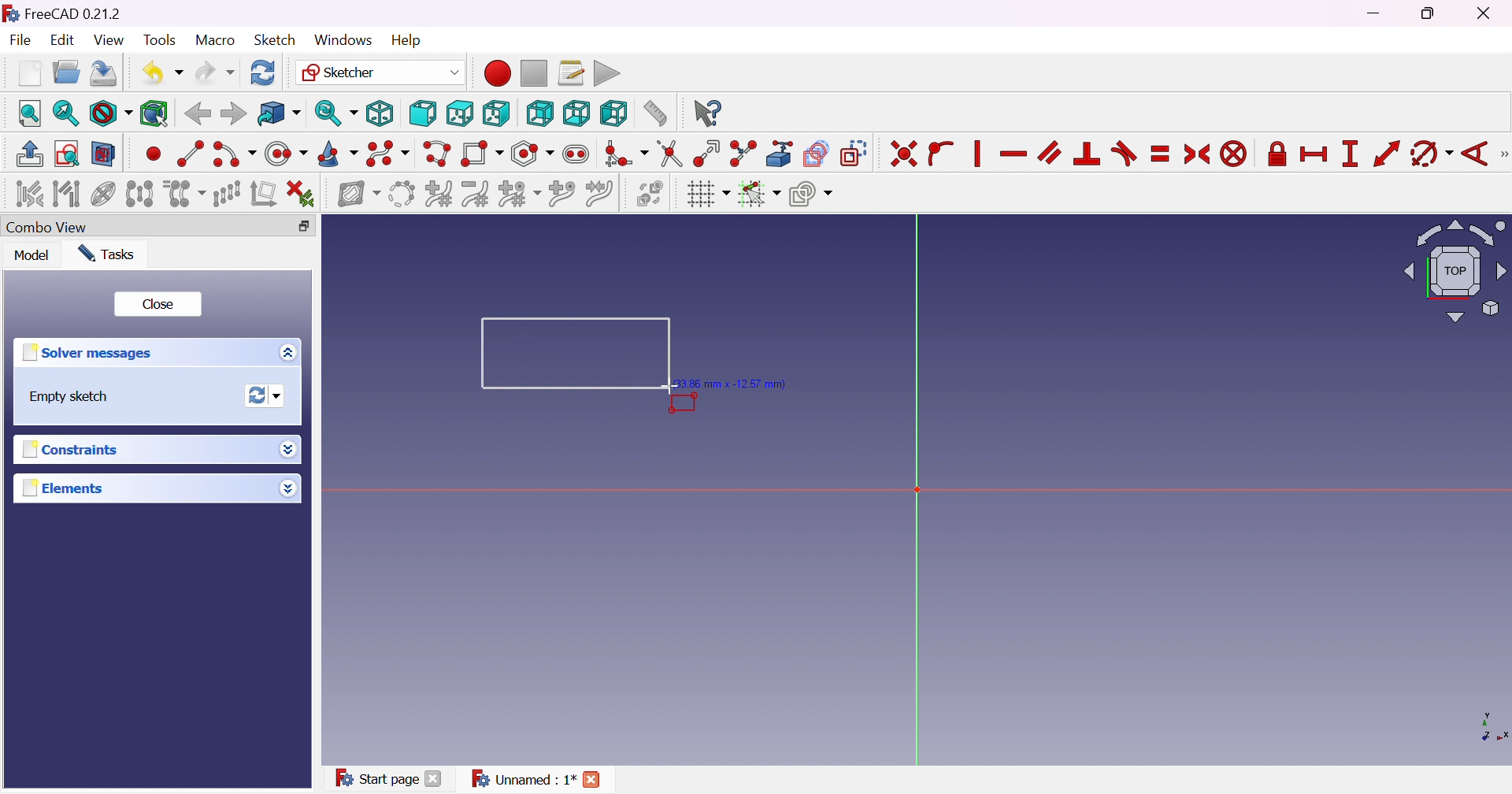 Image resolution: width=1512 pixels, height=794 pixels. I want to click on Forward, so click(234, 113).